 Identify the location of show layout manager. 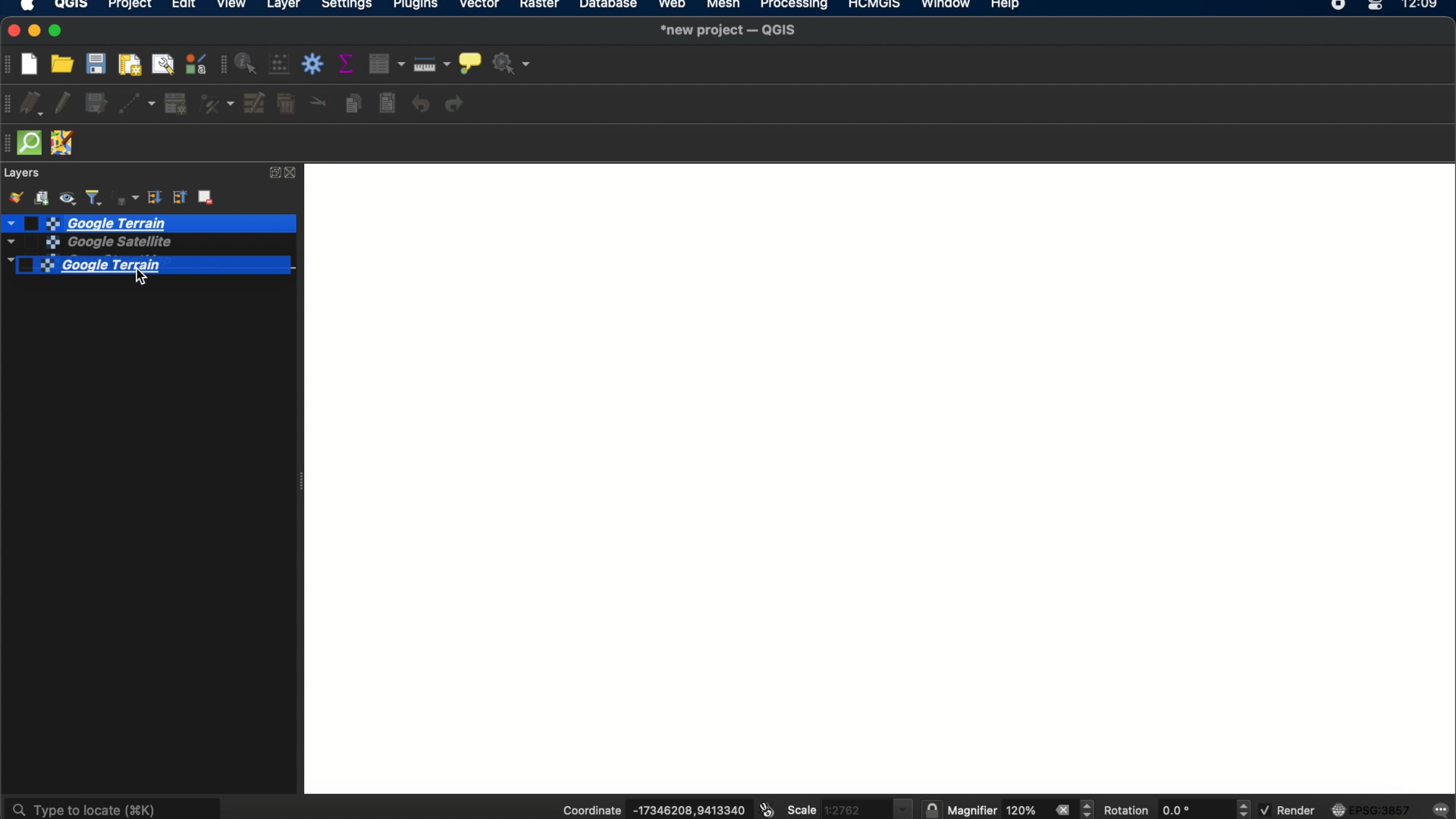
(165, 64).